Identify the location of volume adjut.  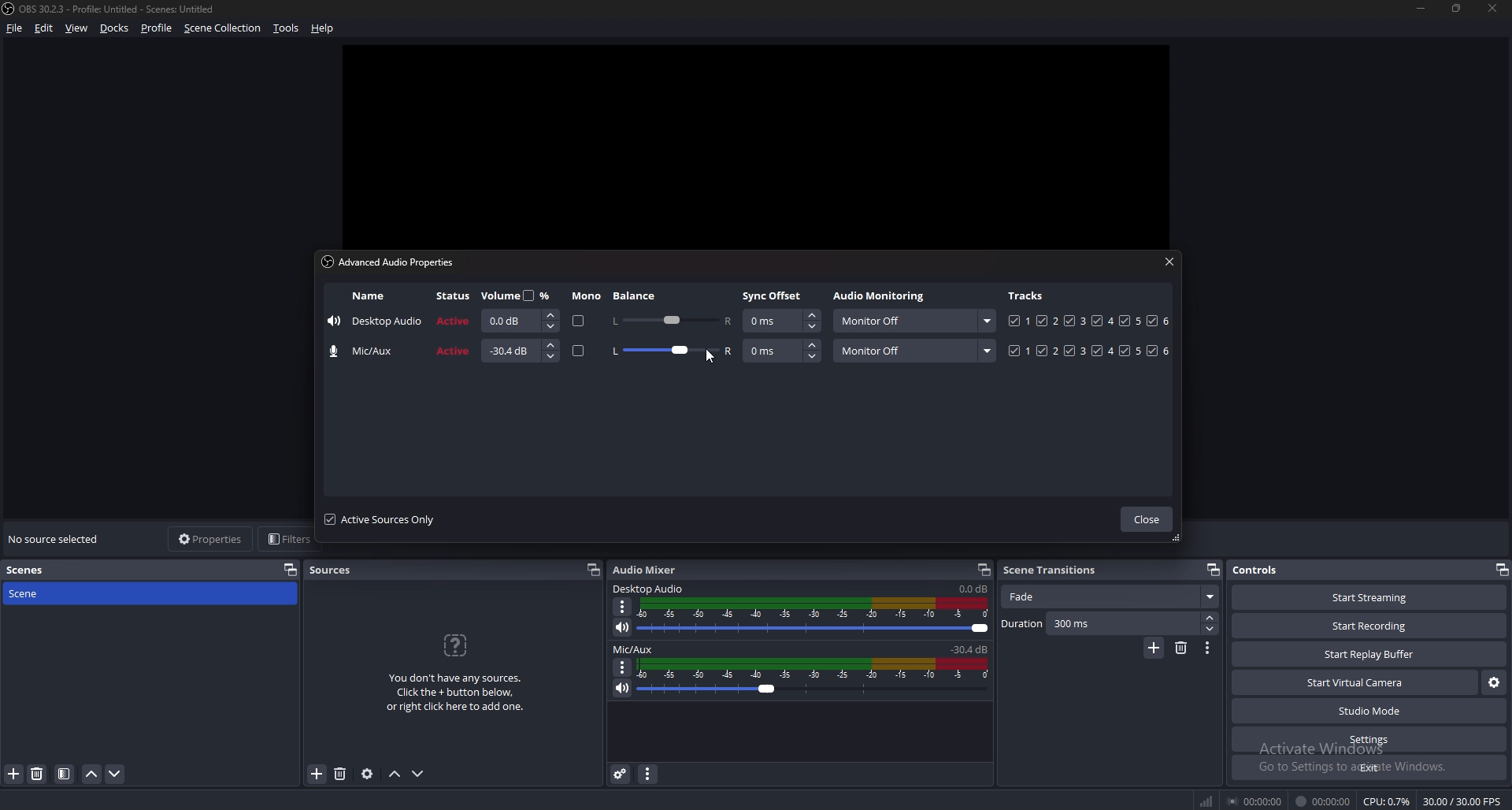
(518, 320).